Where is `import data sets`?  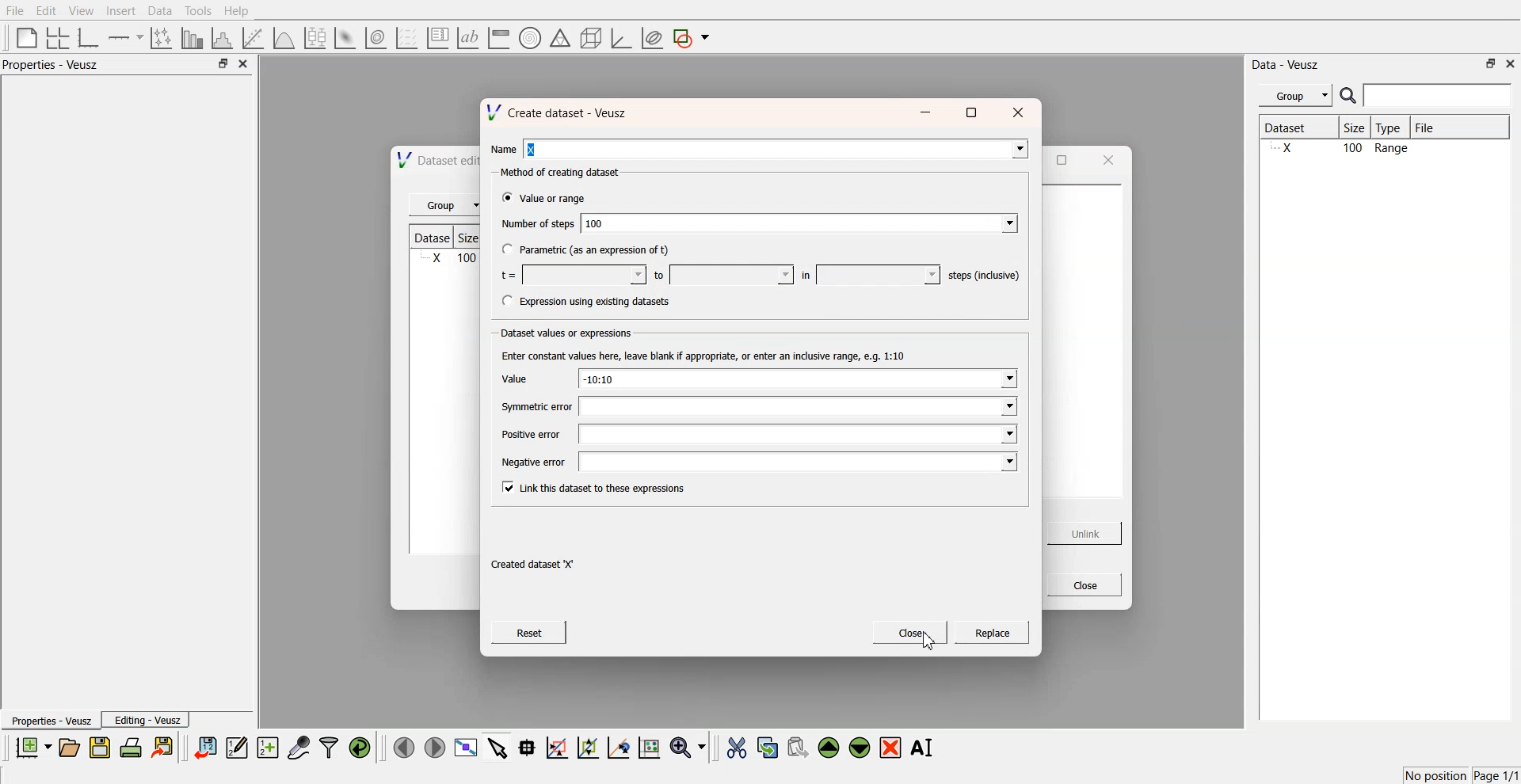 import data sets is located at coordinates (204, 748).